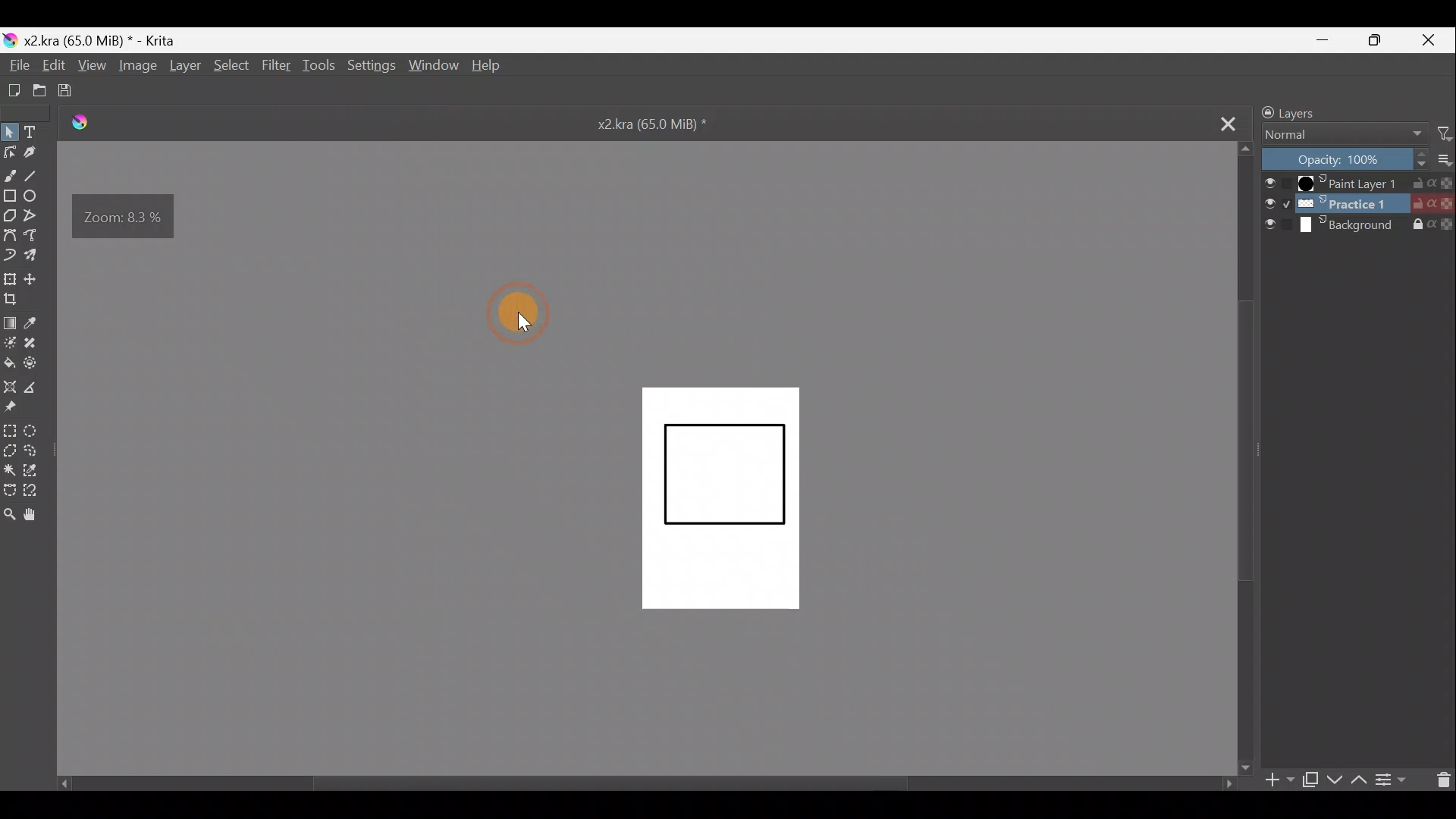 The height and width of the screenshot is (819, 1456). I want to click on Smart patch tool, so click(39, 347).